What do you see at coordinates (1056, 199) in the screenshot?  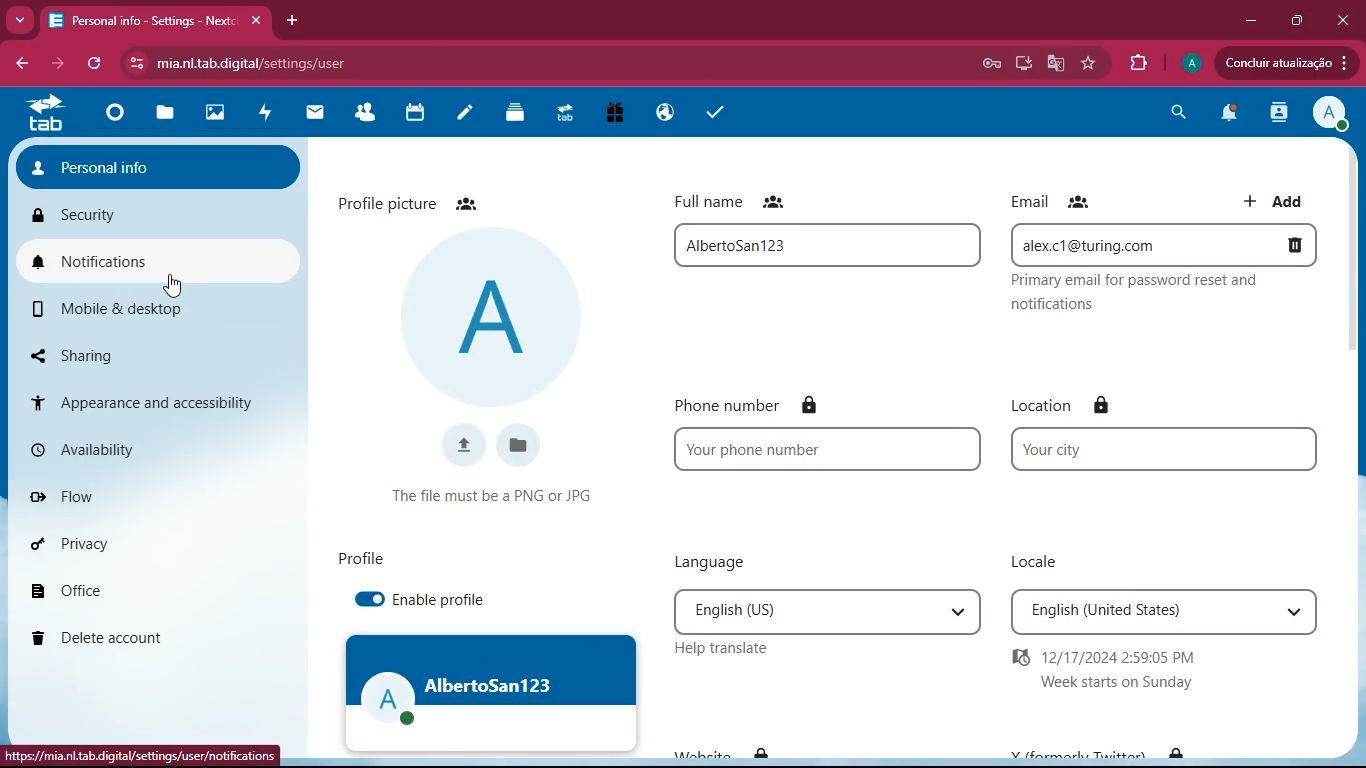 I see `email` at bounding box center [1056, 199].